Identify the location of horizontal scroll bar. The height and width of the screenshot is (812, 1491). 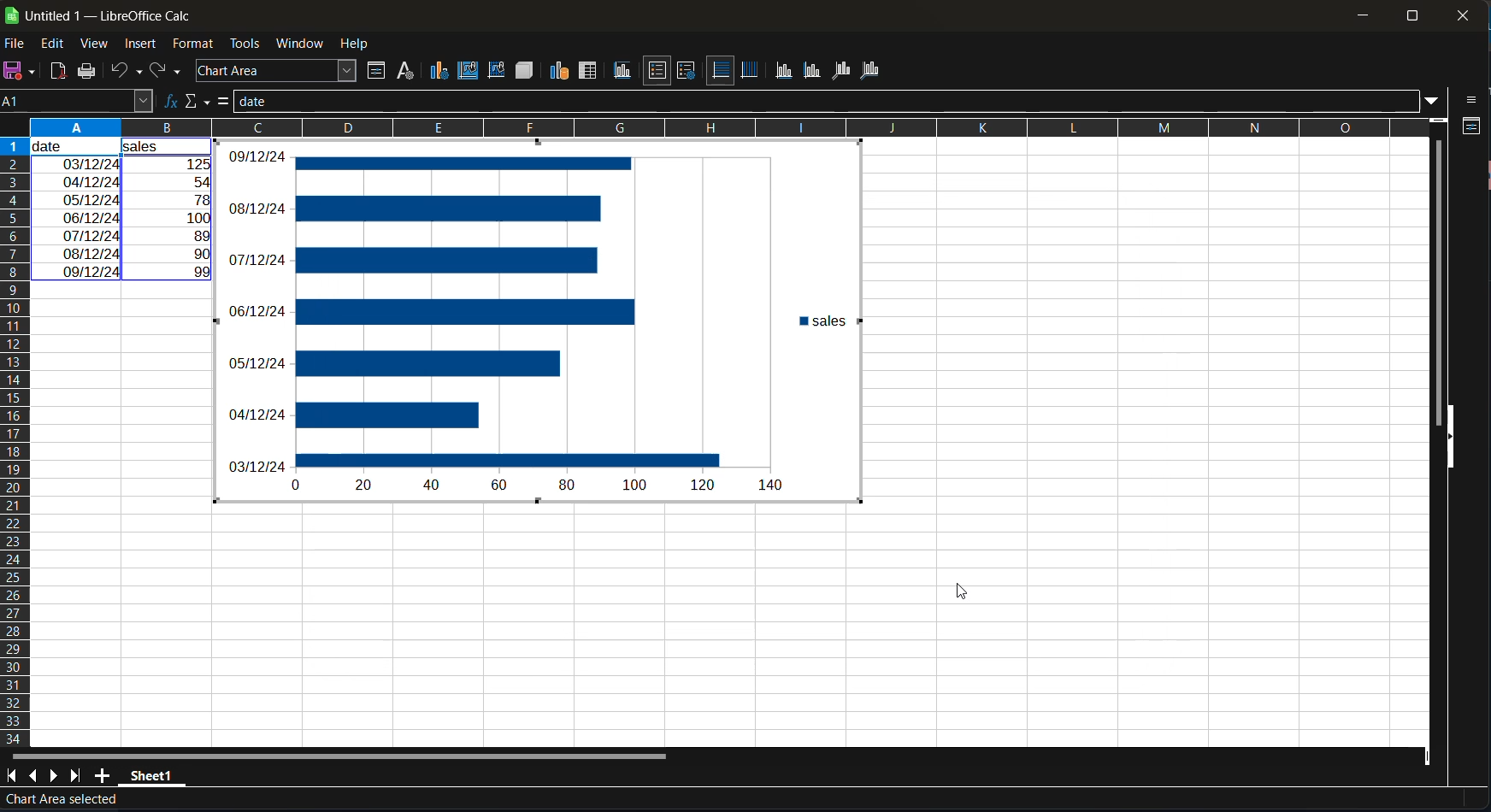
(335, 753).